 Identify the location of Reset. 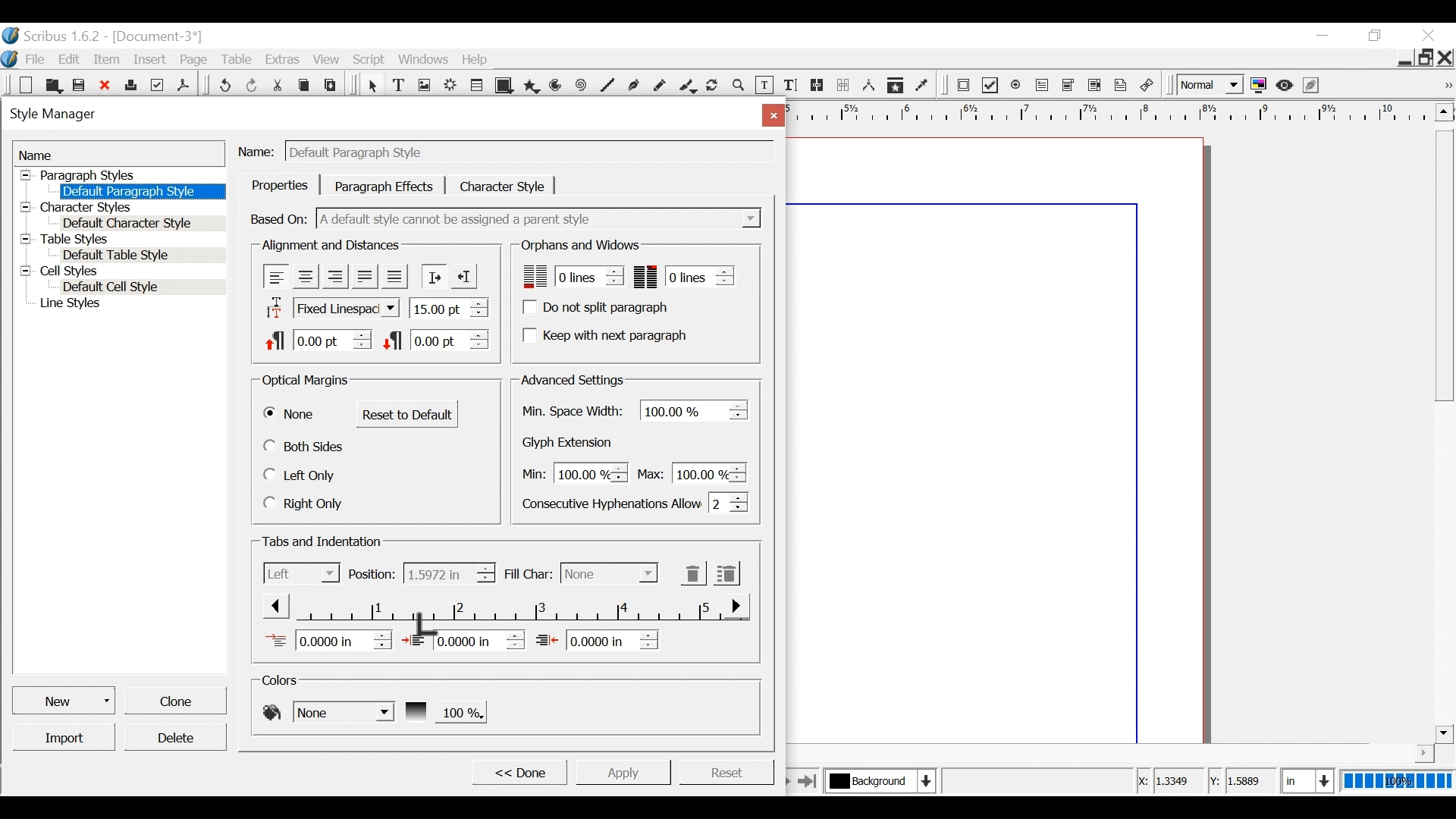
(726, 770).